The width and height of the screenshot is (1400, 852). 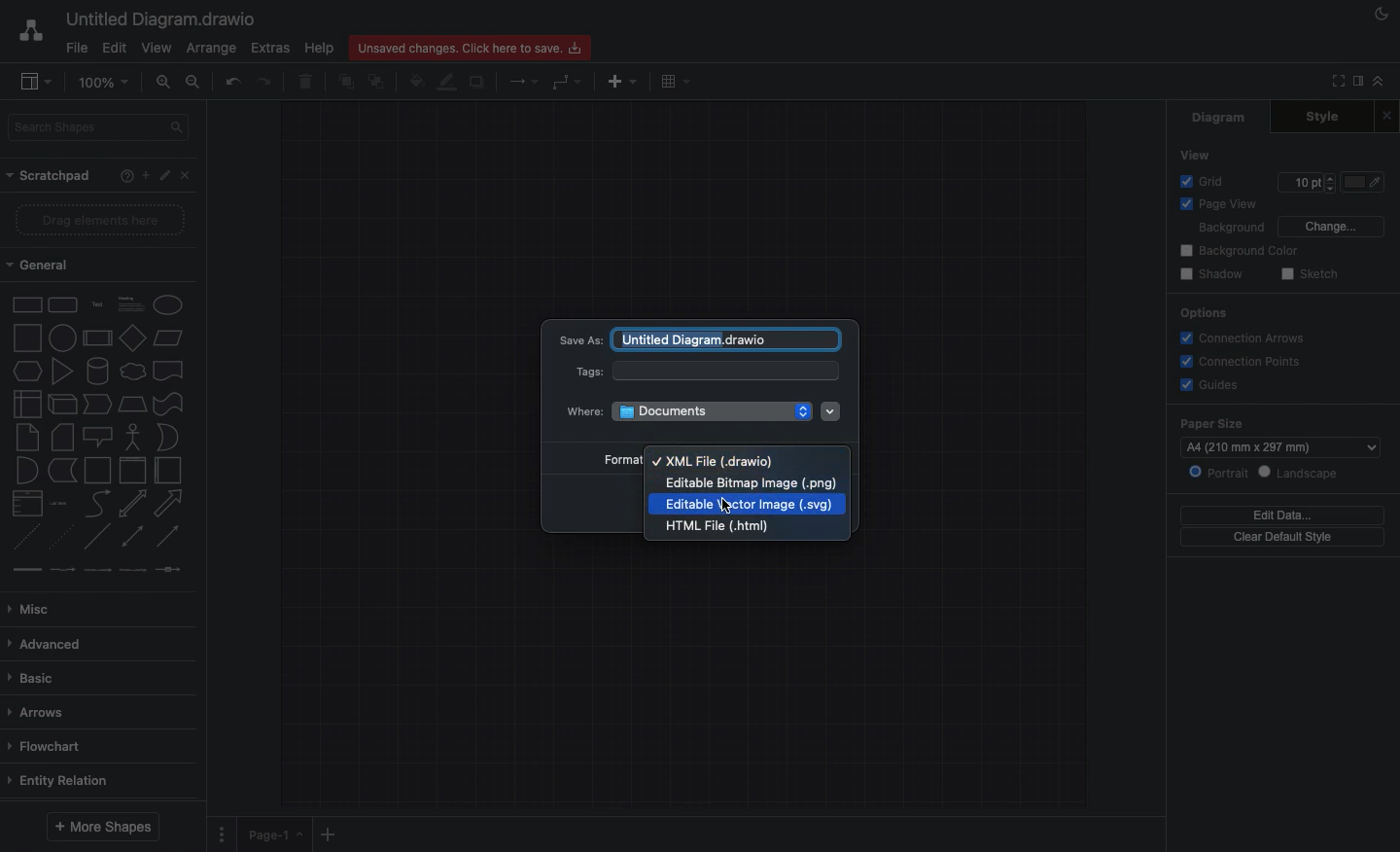 What do you see at coordinates (1242, 362) in the screenshot?
I see `Connections points` at bounding box center [1242, 362].